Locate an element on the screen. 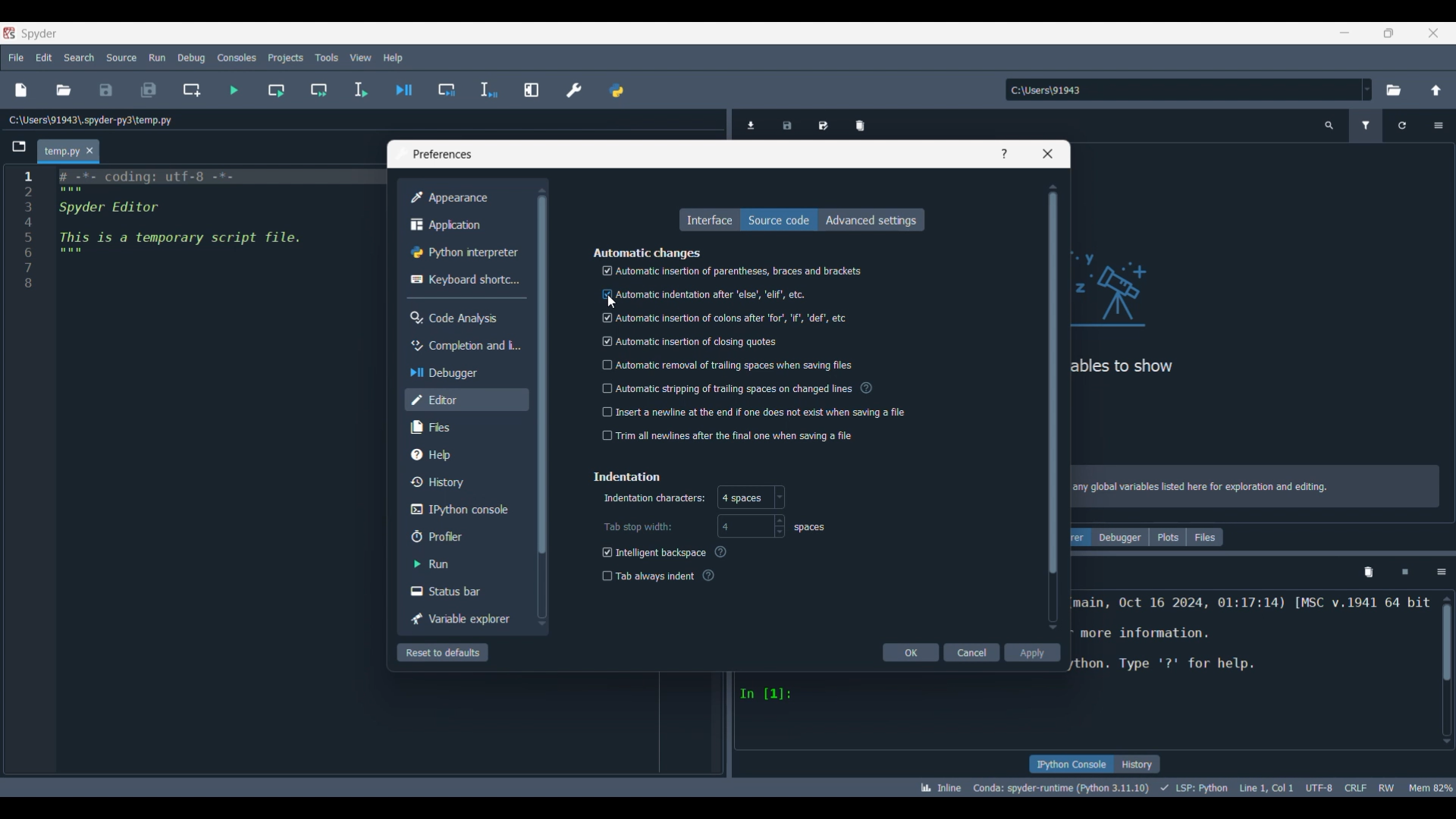 The height and width of the screenshot is (819, 1456). Debug cell is located at coordinates (447, 89).